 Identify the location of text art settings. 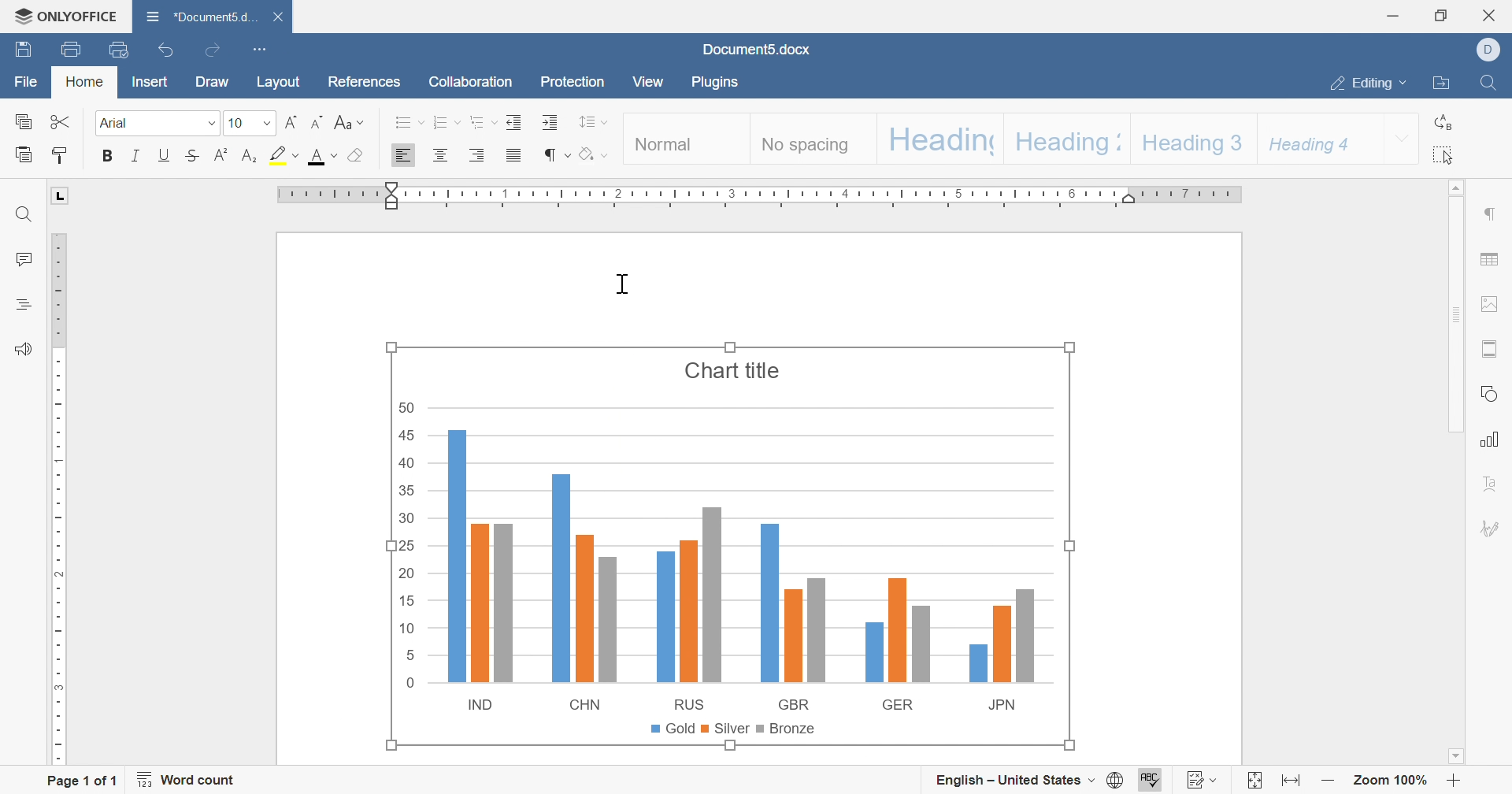
(1489, 483).